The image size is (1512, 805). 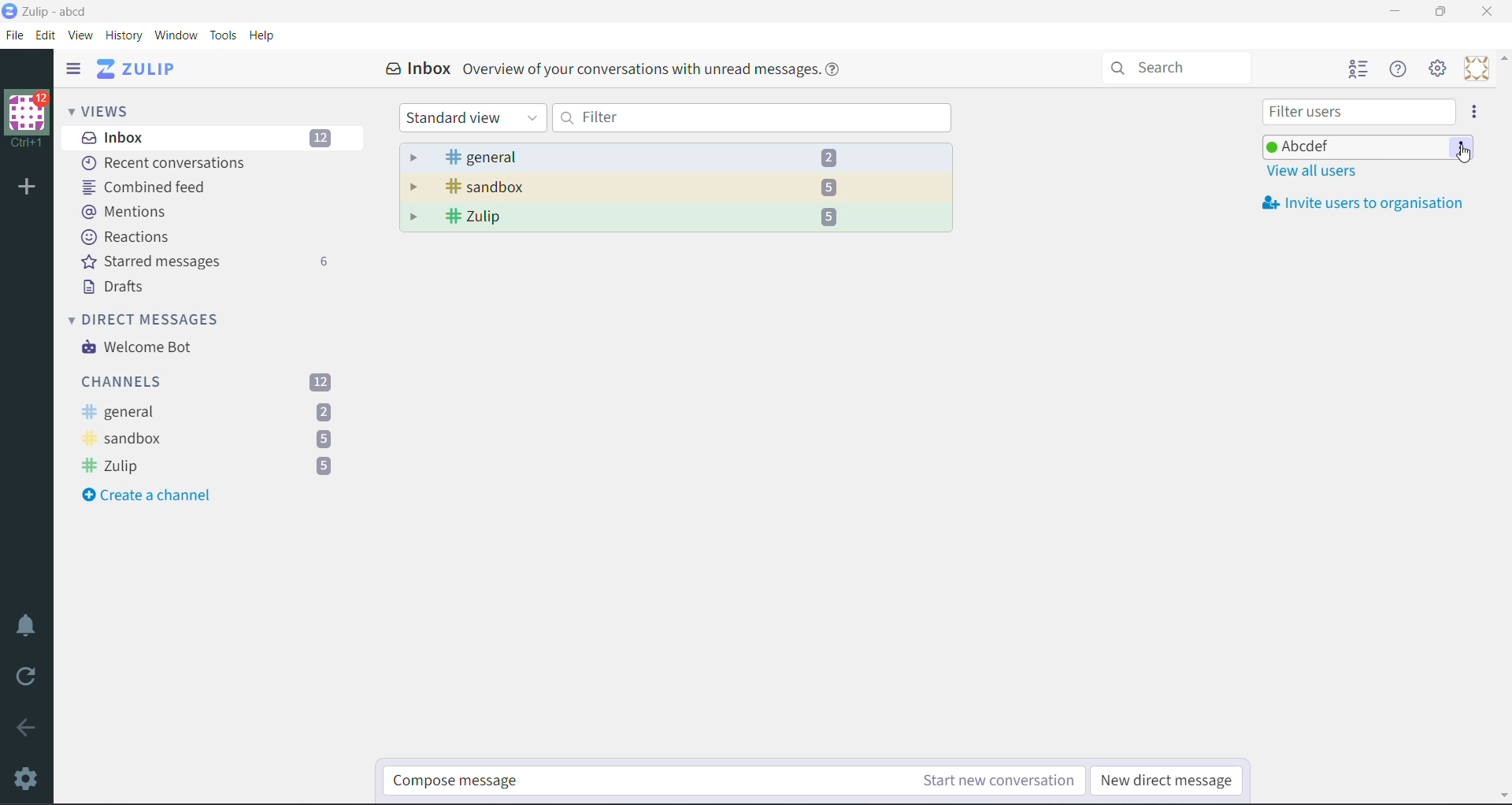 What do you see at coordinates (126, 35) in the screenshot?
I see `History` at bounding box center [126, 35].